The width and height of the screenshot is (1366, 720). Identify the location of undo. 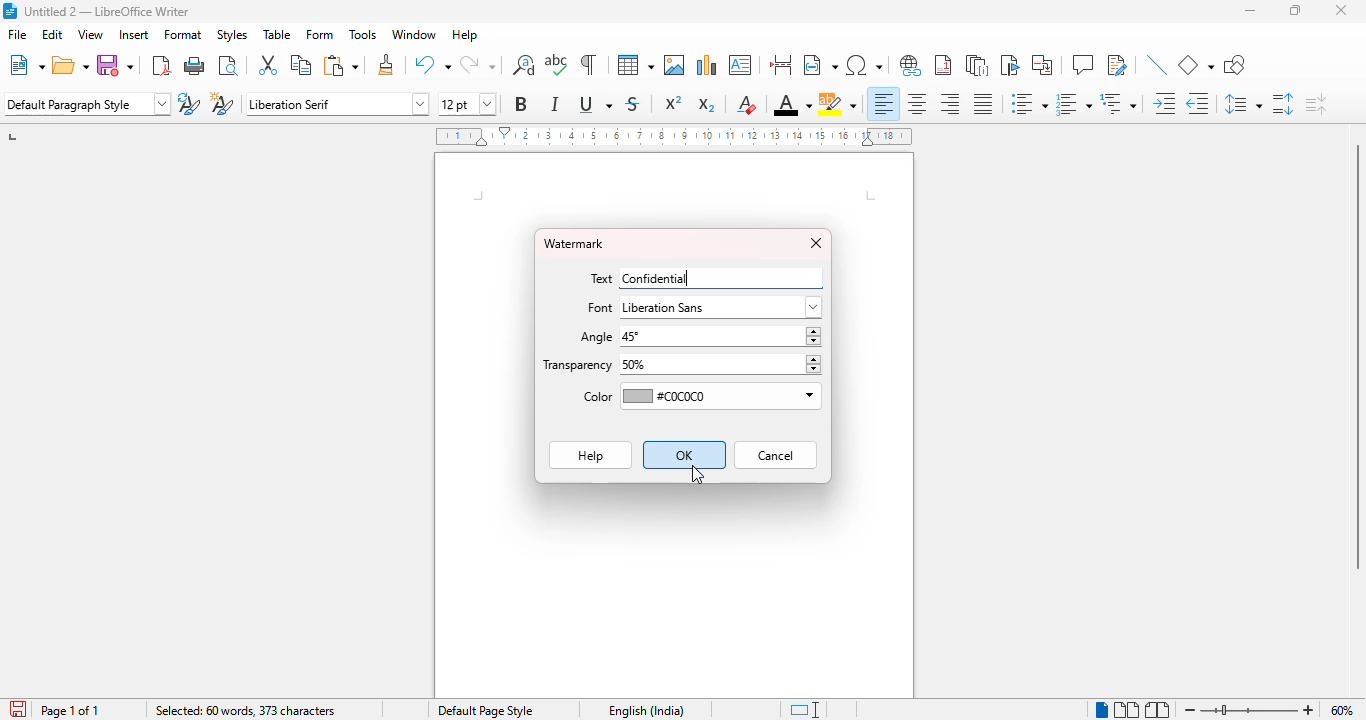
(432, 65).